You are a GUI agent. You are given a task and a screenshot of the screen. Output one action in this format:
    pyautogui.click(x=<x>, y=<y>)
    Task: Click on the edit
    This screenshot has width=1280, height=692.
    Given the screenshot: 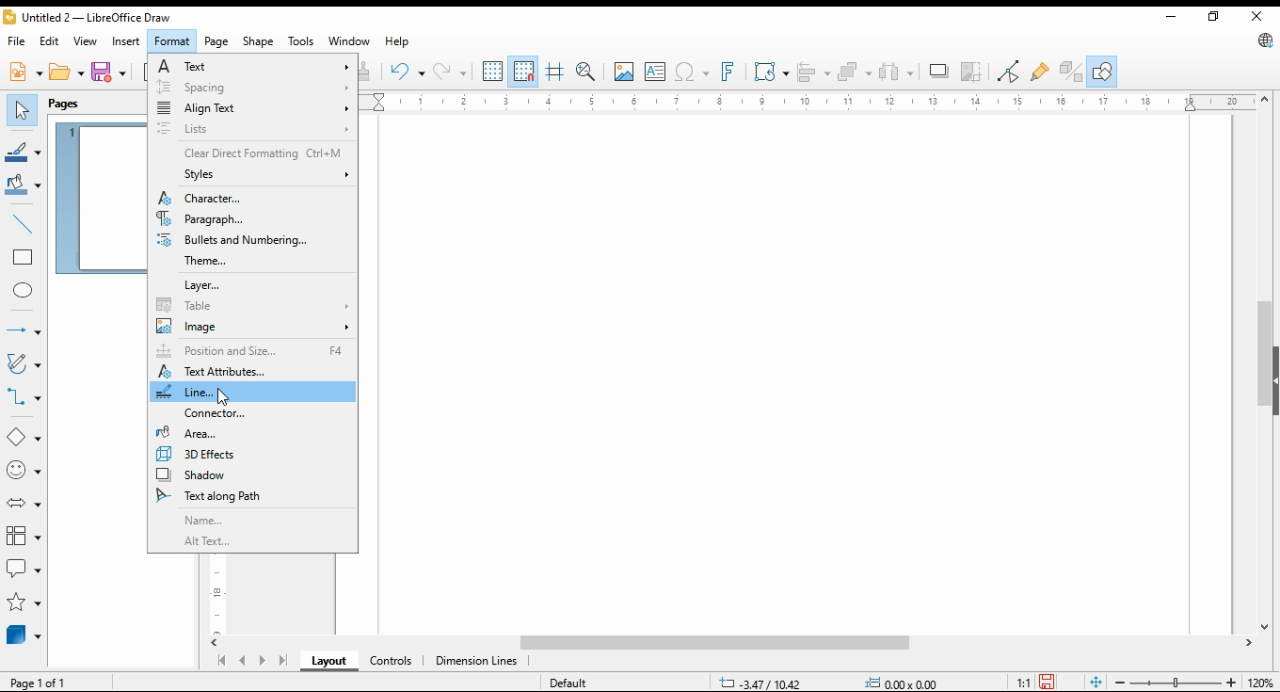 What is the action you would take?
    pyautogui.click(x=48, y=39)
    